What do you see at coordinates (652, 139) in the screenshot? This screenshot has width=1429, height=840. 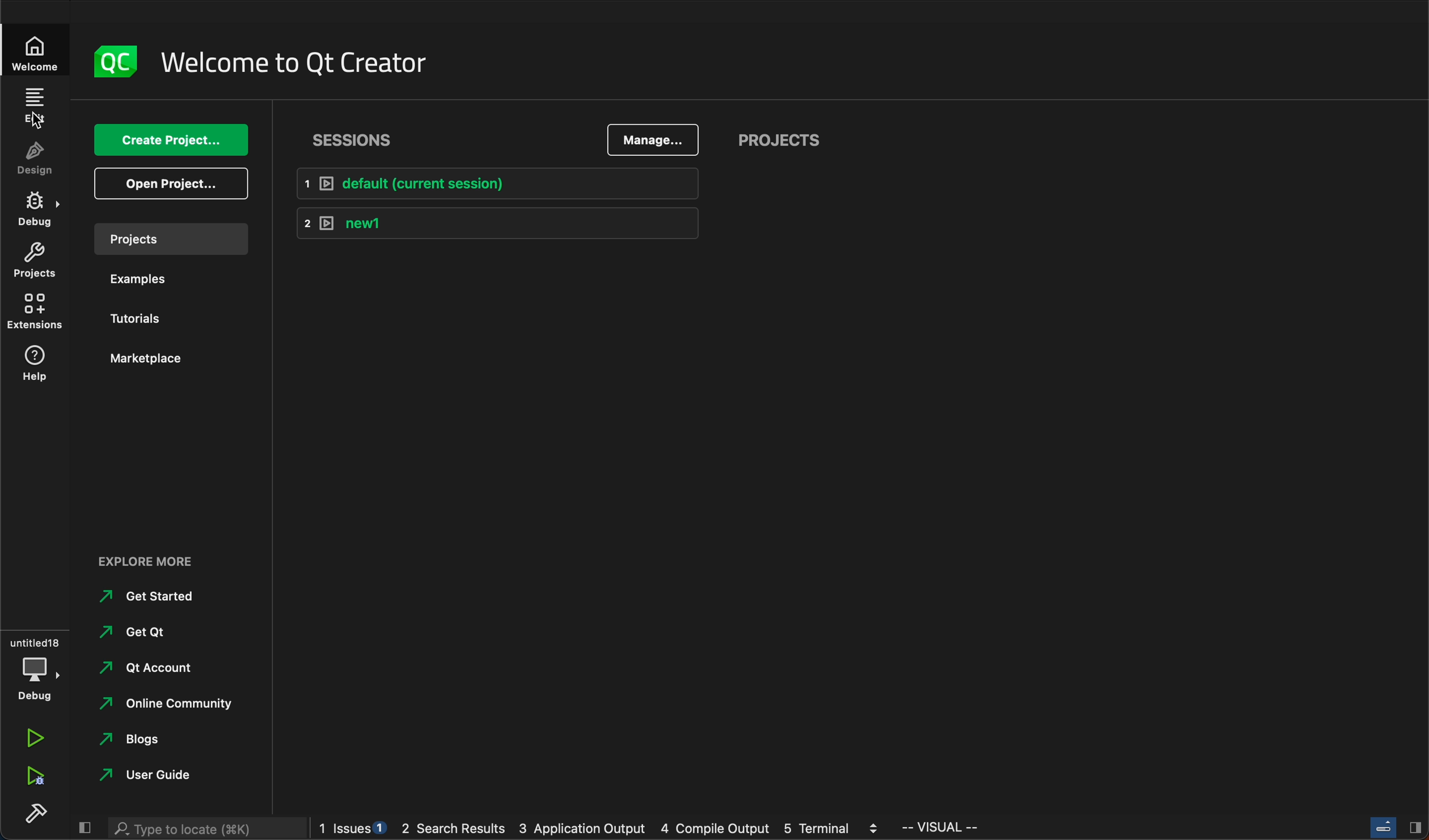 I see `manage` at bounding box center [652, 139].